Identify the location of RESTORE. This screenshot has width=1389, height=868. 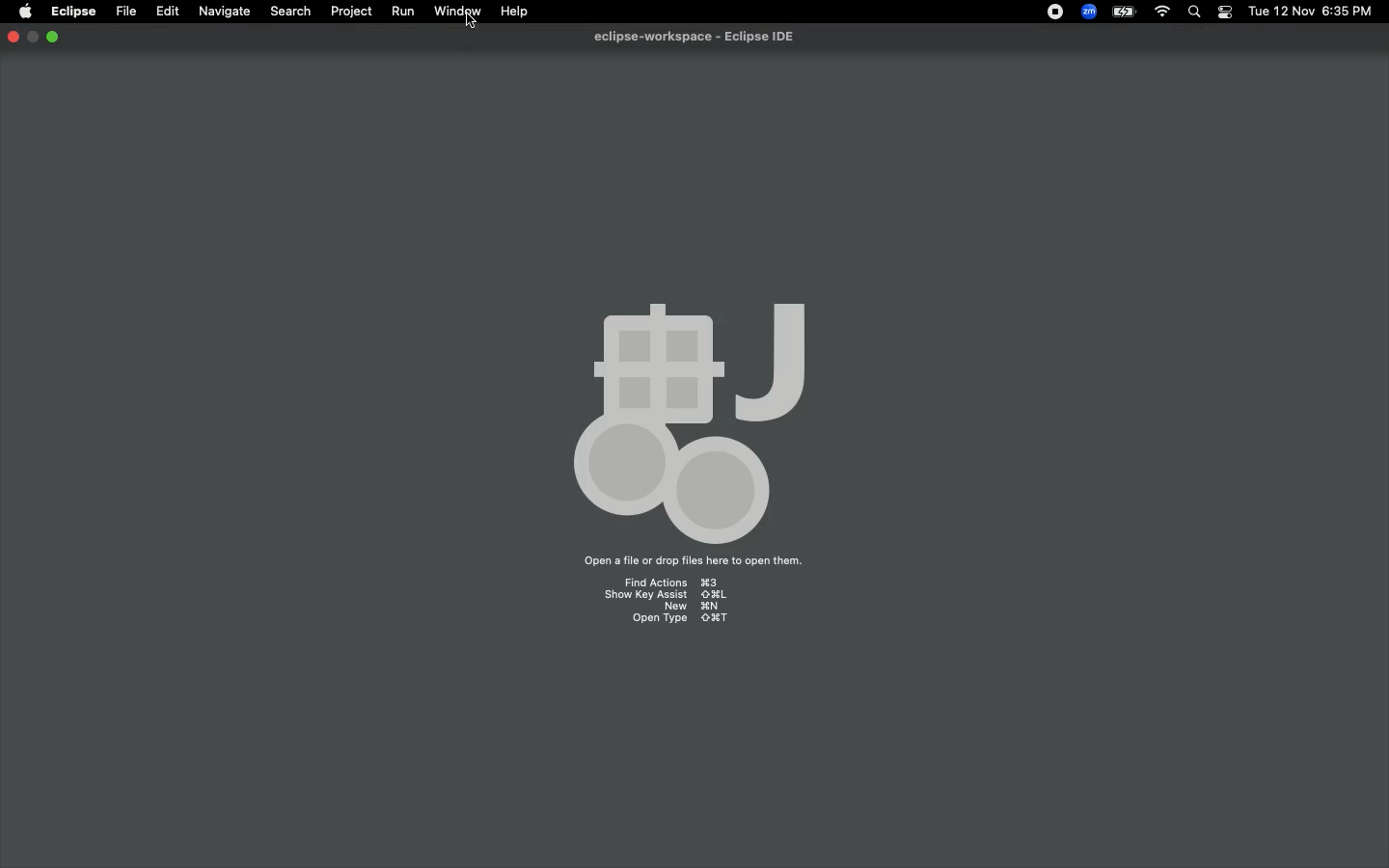
(30, 35).